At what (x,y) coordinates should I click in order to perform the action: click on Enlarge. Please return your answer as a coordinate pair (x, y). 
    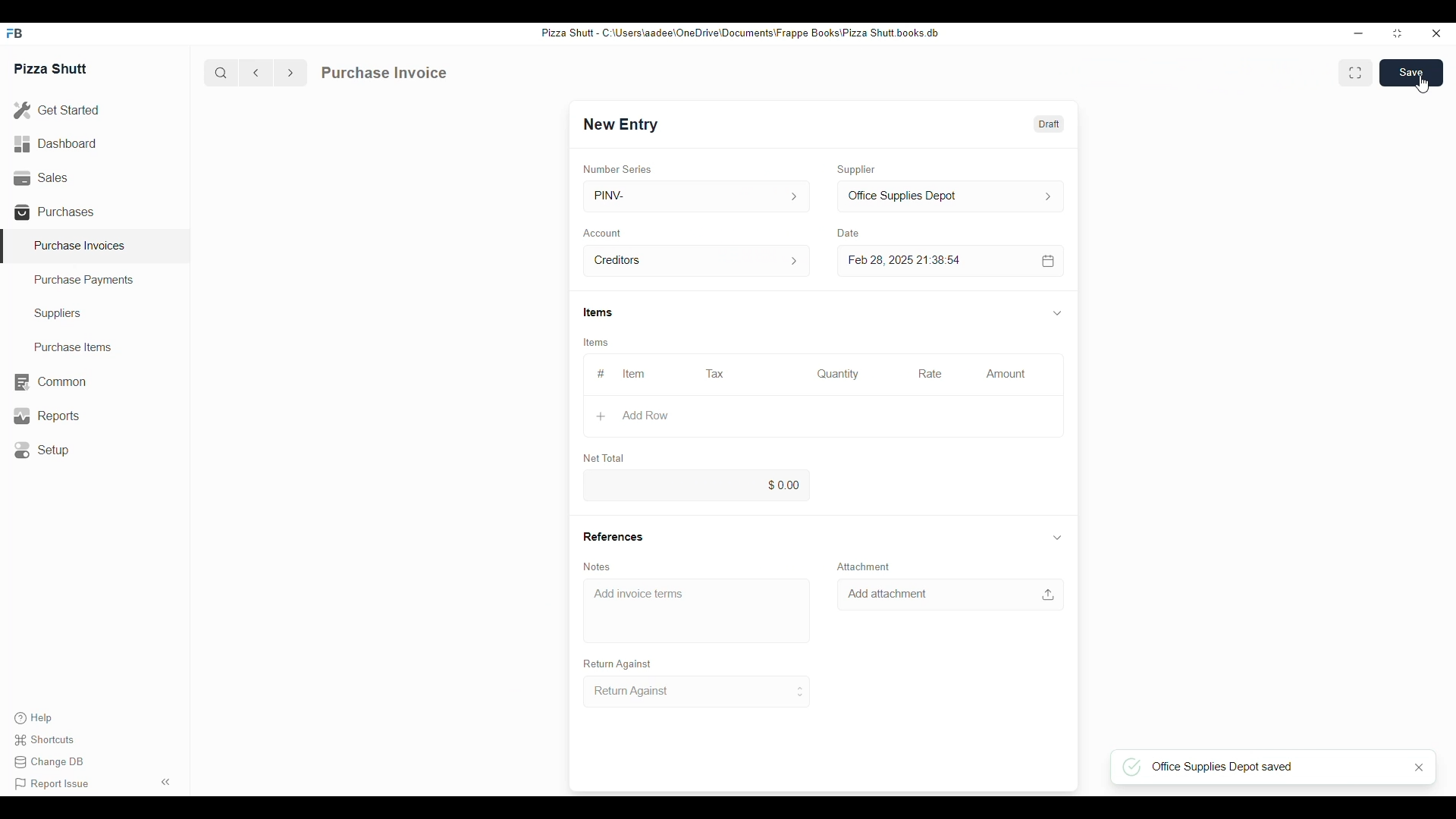
    Looking at the image, I should click on (1356, 73).